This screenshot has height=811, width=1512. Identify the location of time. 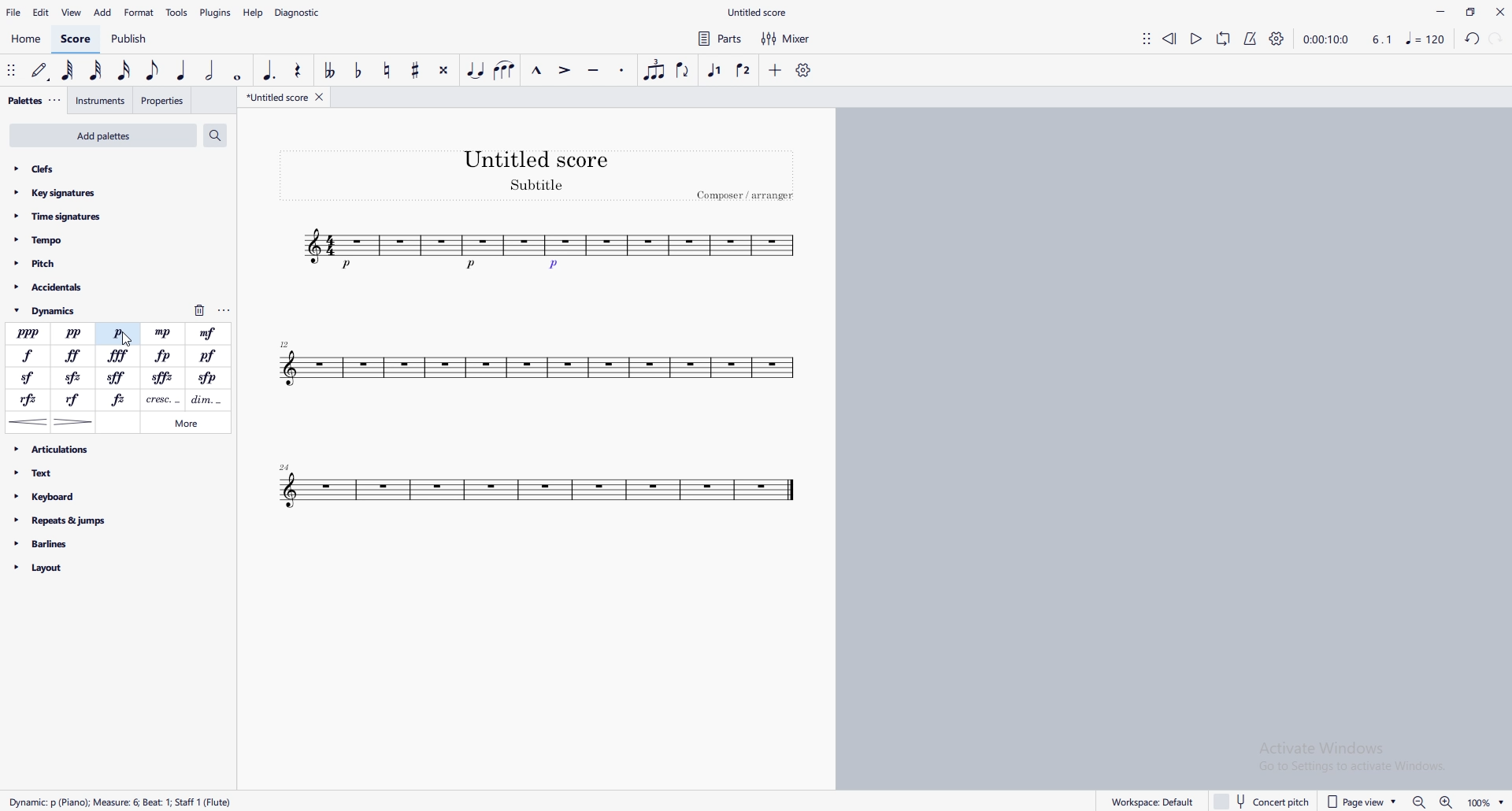
(1326, 38).